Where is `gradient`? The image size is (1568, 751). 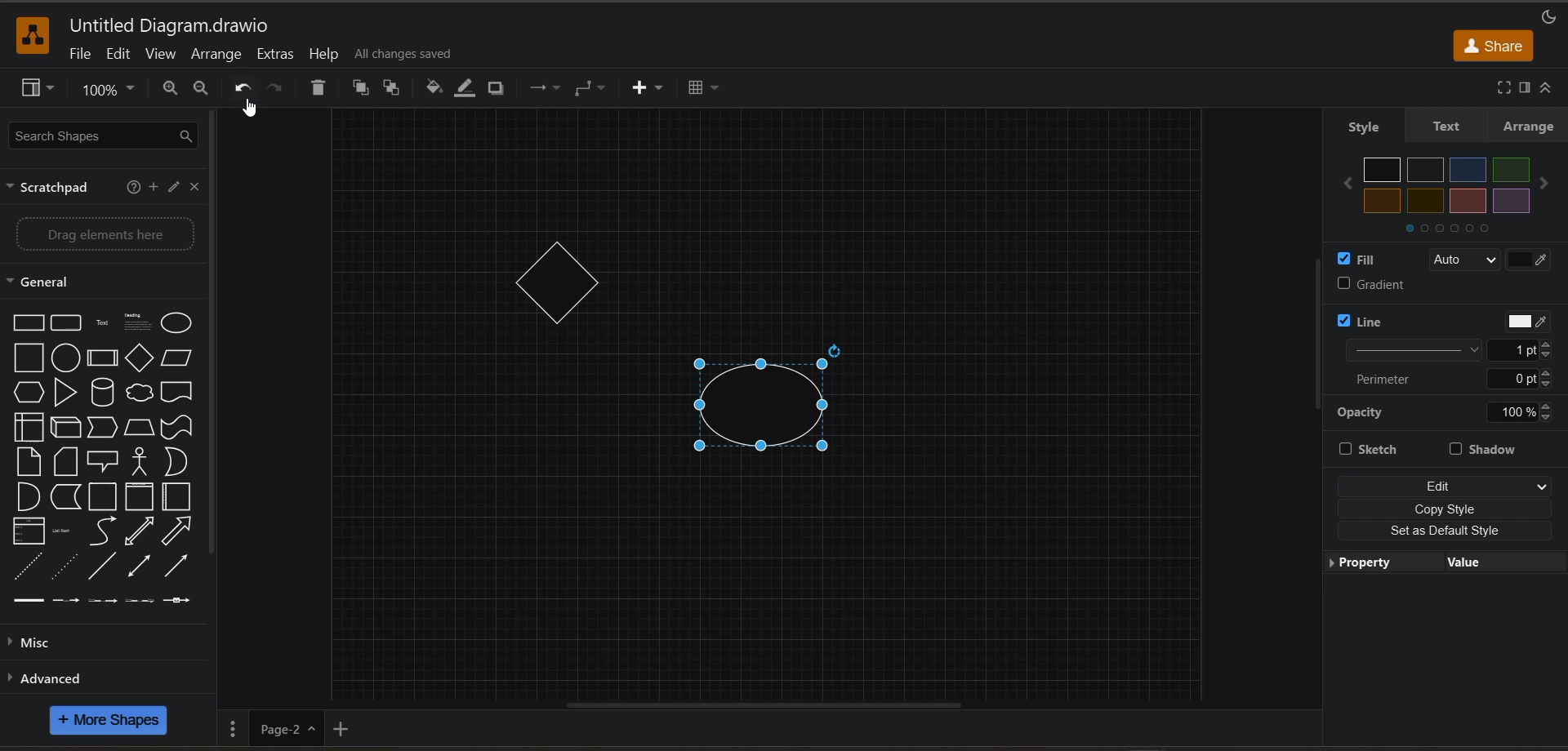
gradient is located at coordinates (1382, 285).